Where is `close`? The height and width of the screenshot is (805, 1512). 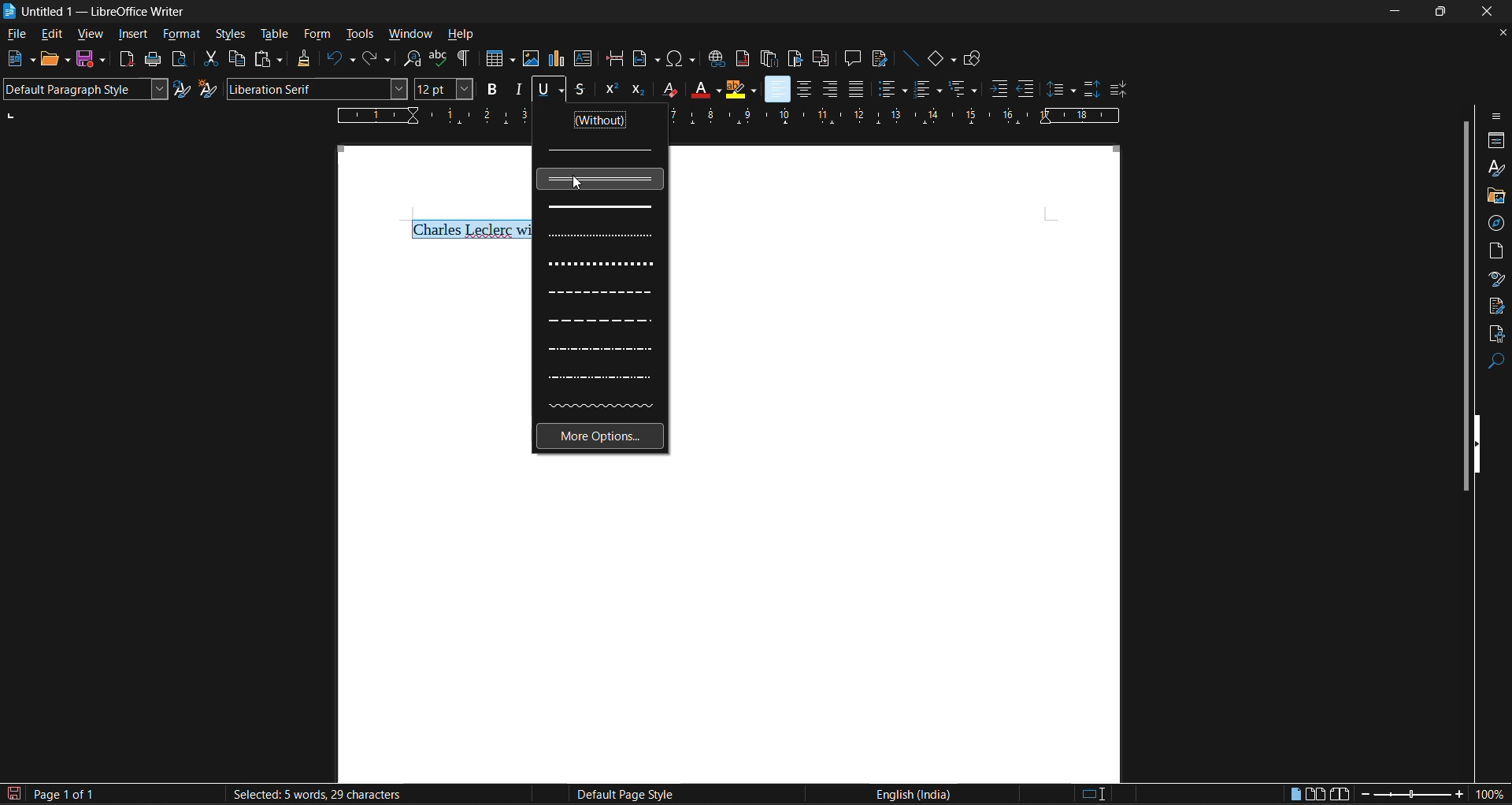
close is located at coordinates (1488, 12).